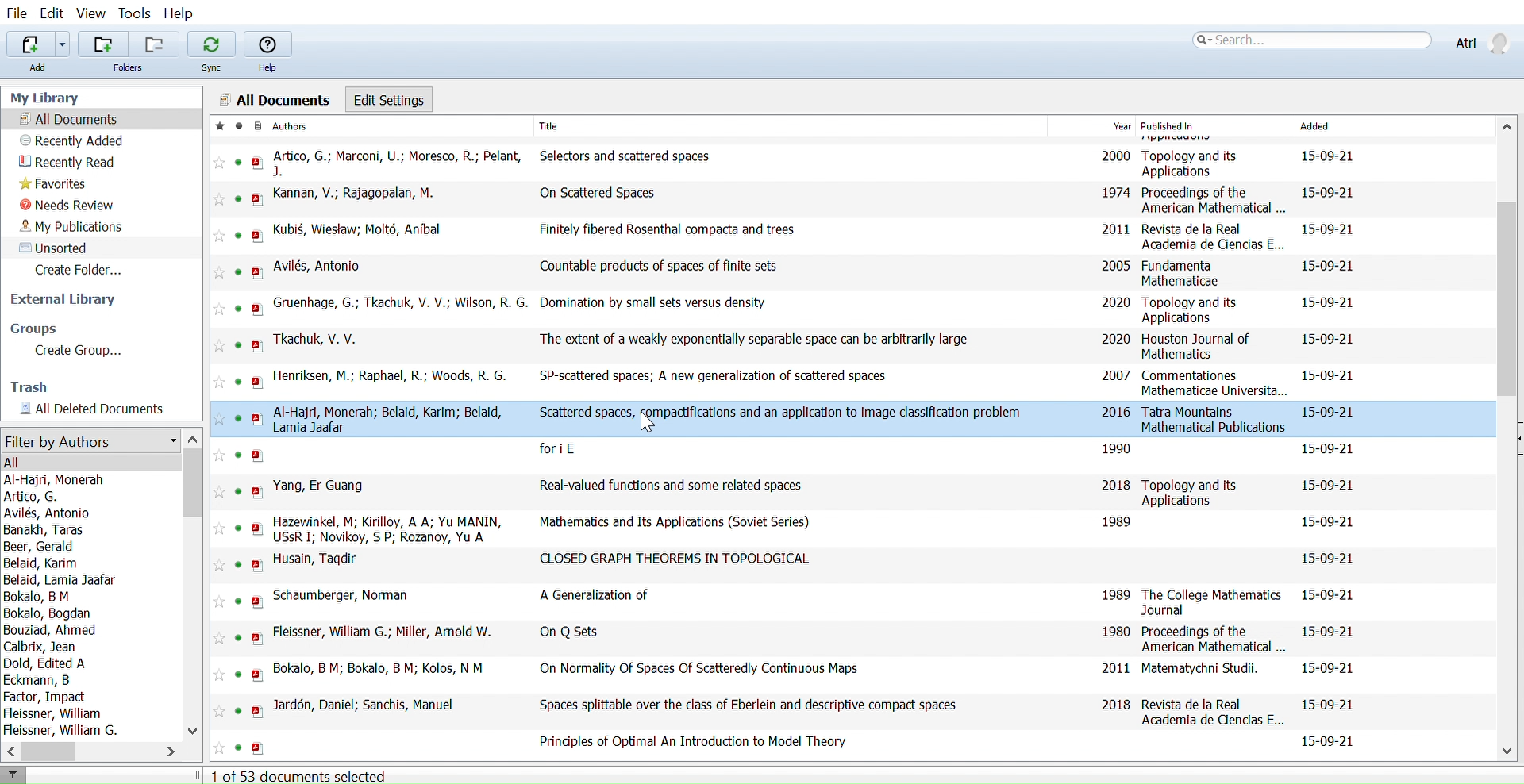  I want to click on favourite, so click(219, 272).